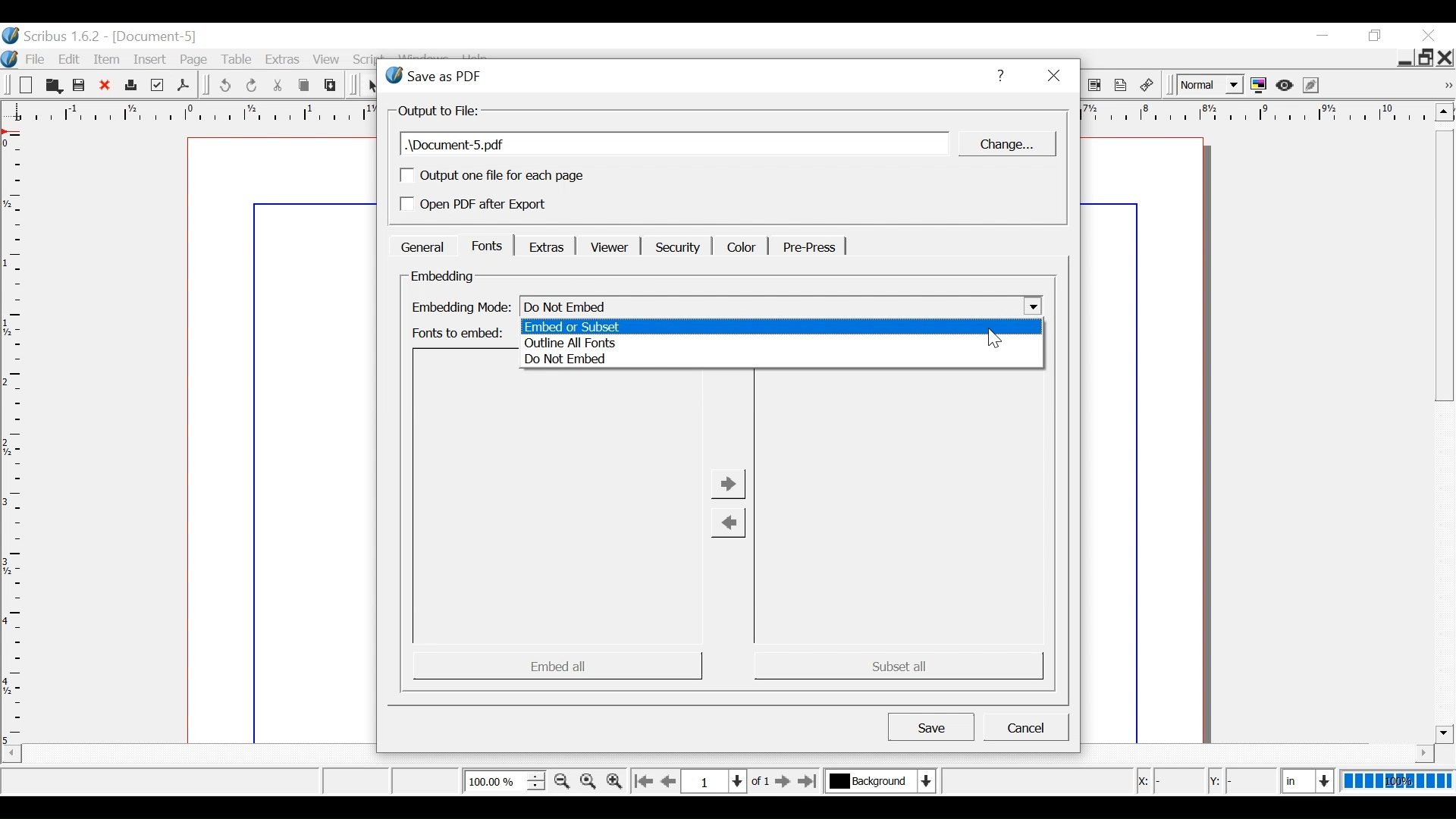 Image resolution: width=1456 pixels, height=819 pixels. I want to click on Zoom in, so click(613, 780).